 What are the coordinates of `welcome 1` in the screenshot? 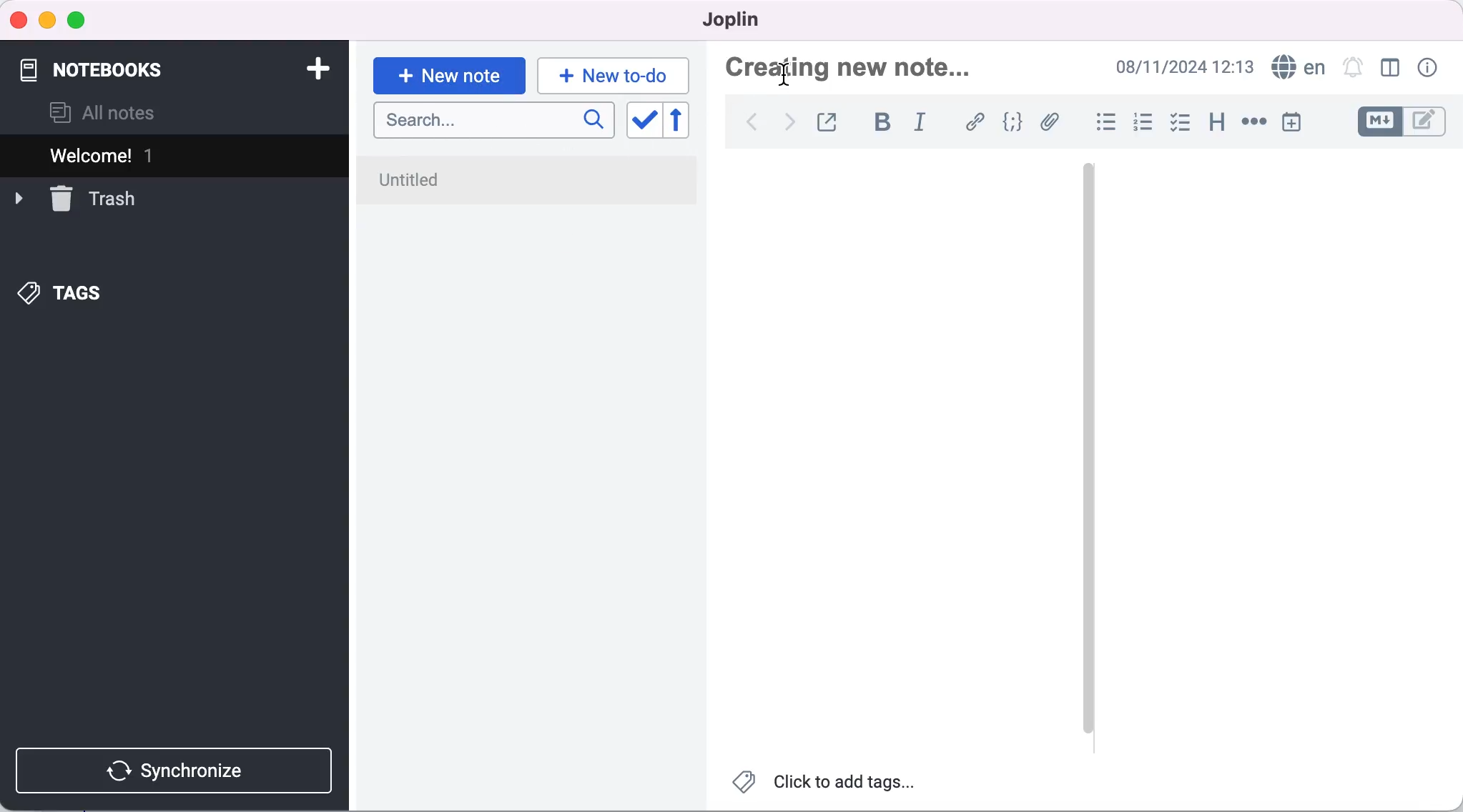 It's located at (177, 153).